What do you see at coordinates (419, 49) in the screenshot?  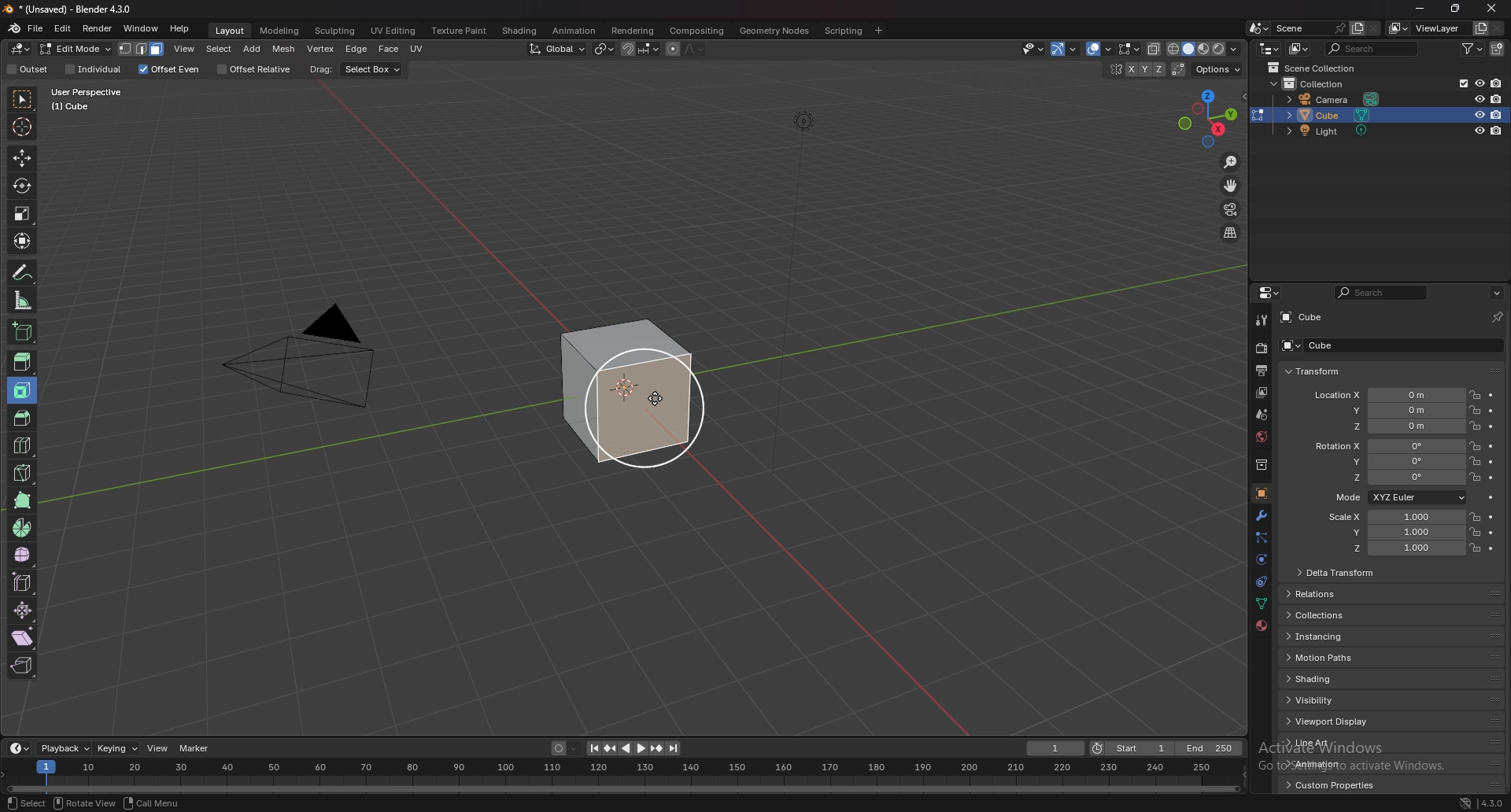 I see `uv` at bounding box center [419, 49].